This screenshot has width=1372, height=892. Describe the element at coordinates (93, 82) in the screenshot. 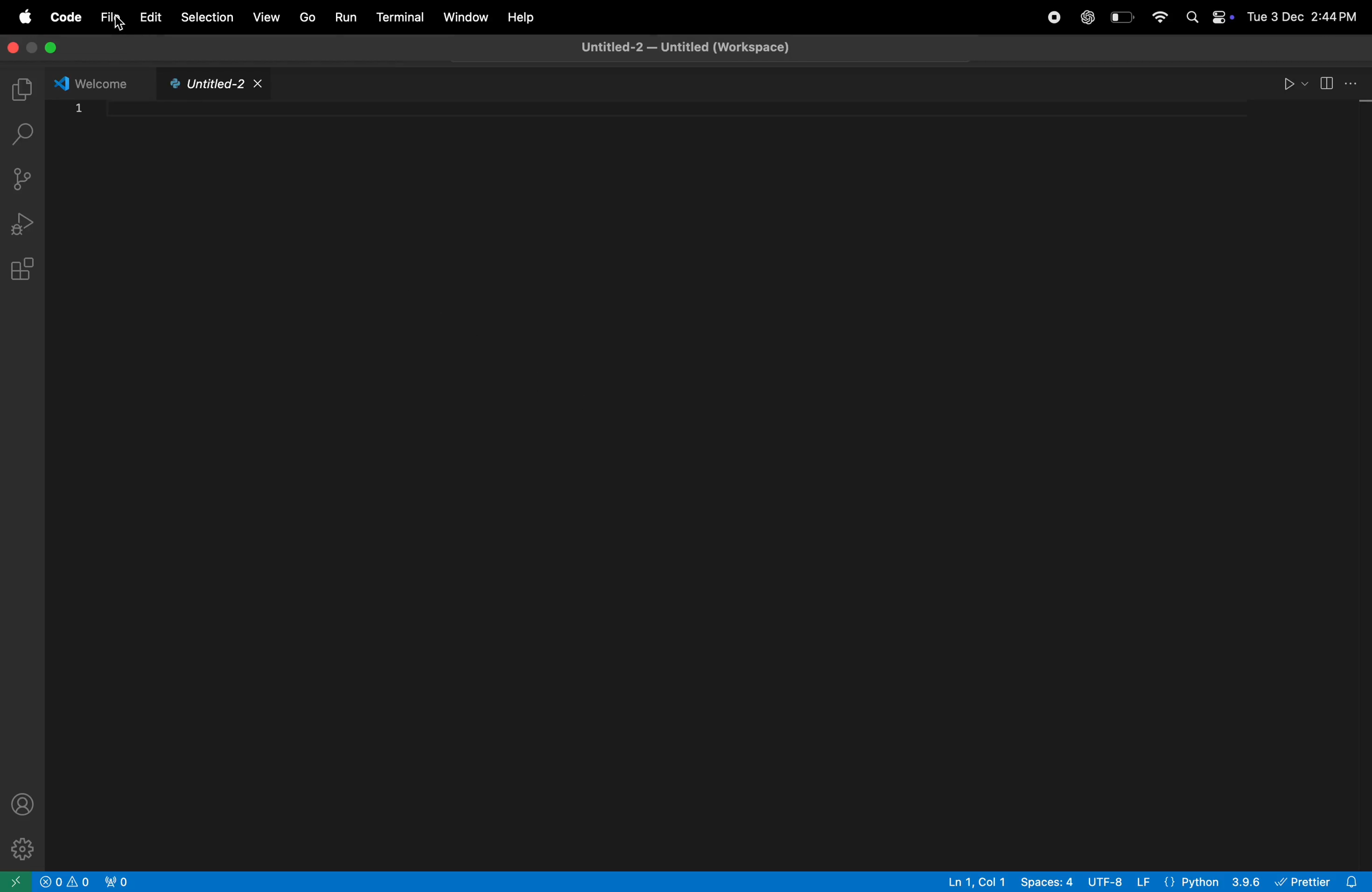

I see `welcome` at that location.